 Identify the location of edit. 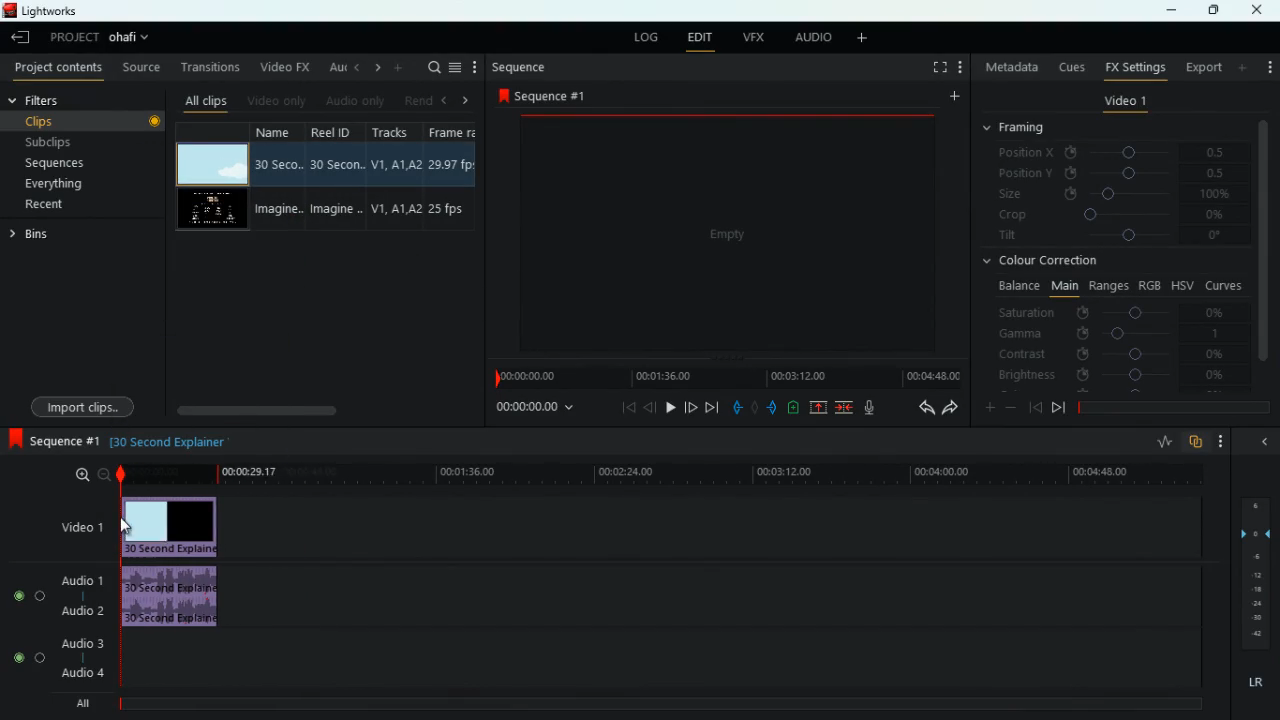
(700, 39).